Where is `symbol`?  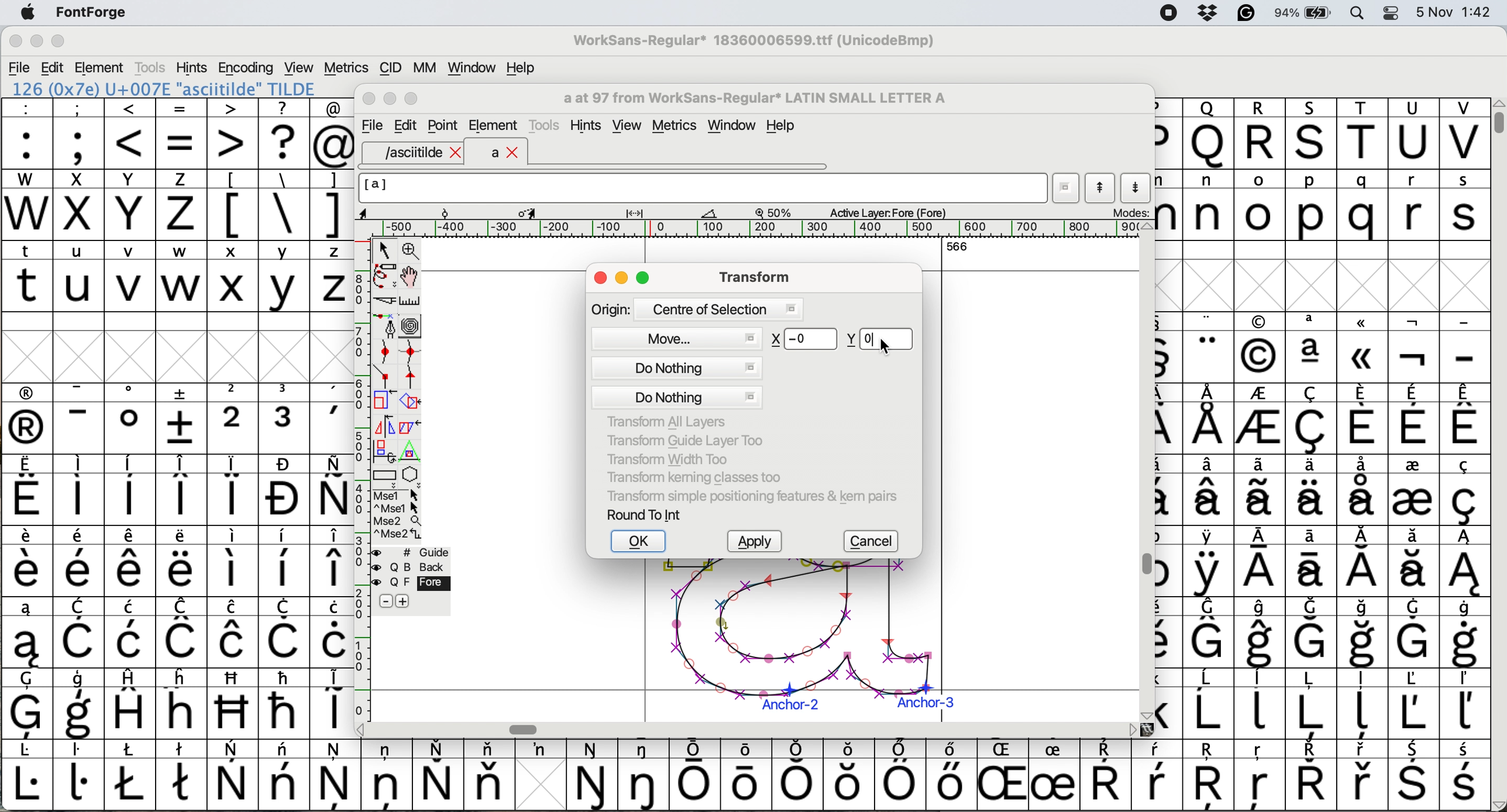 symbol is located at coordinates (25, 633).